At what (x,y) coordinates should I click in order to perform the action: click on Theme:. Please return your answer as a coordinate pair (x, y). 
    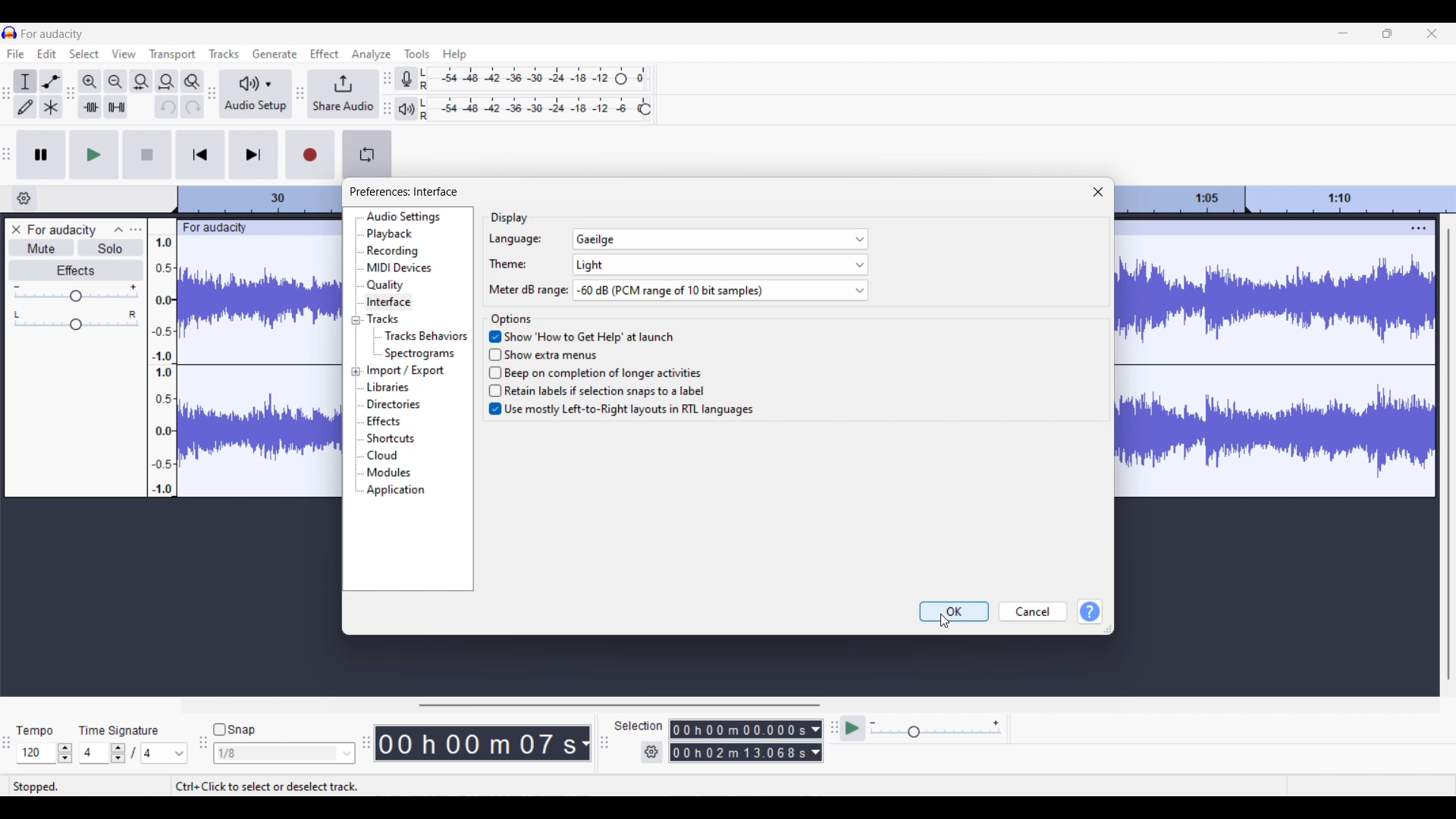
    Looking at the image, I should click on (508, 264).